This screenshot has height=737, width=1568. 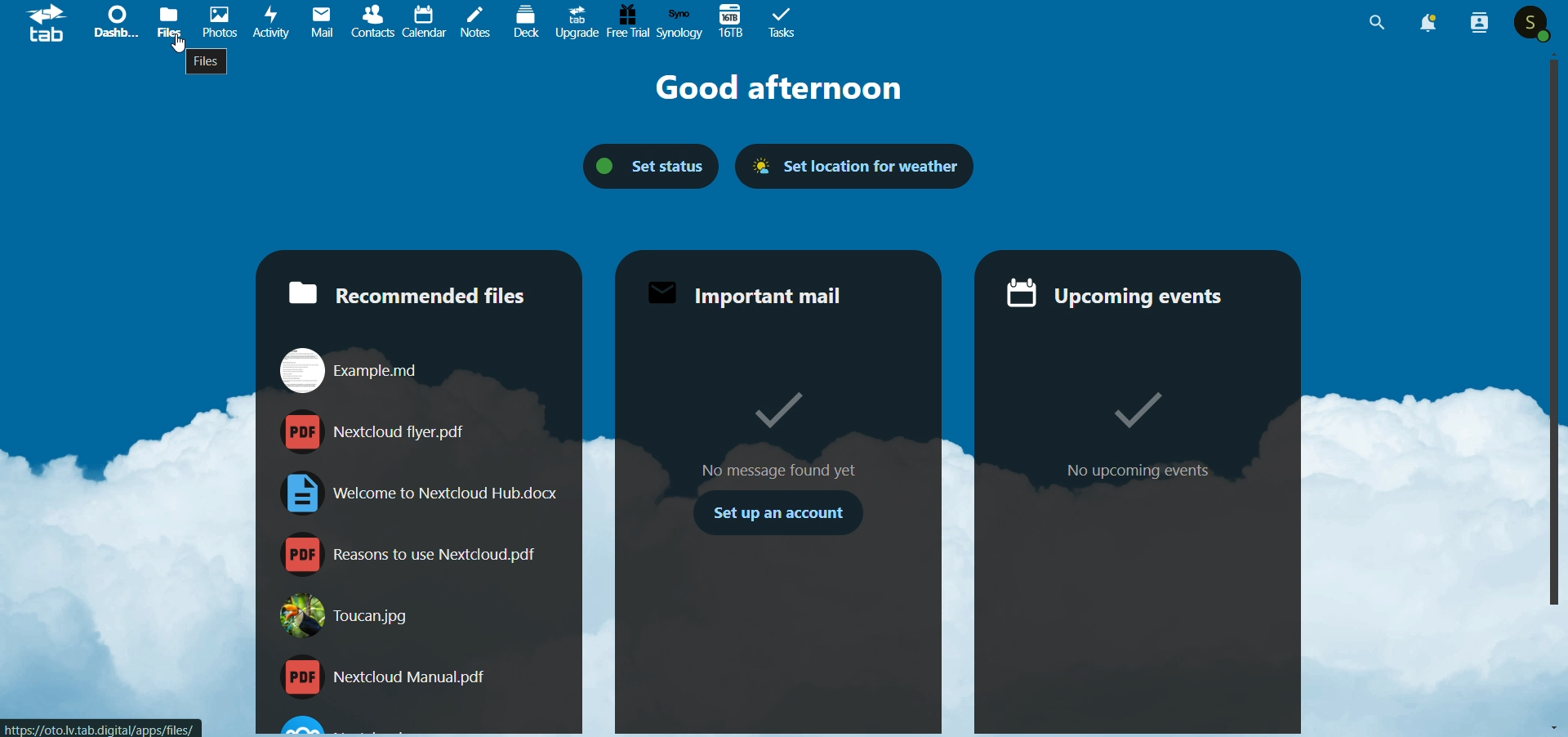 I want to click on files, so click(x=202, y=63).